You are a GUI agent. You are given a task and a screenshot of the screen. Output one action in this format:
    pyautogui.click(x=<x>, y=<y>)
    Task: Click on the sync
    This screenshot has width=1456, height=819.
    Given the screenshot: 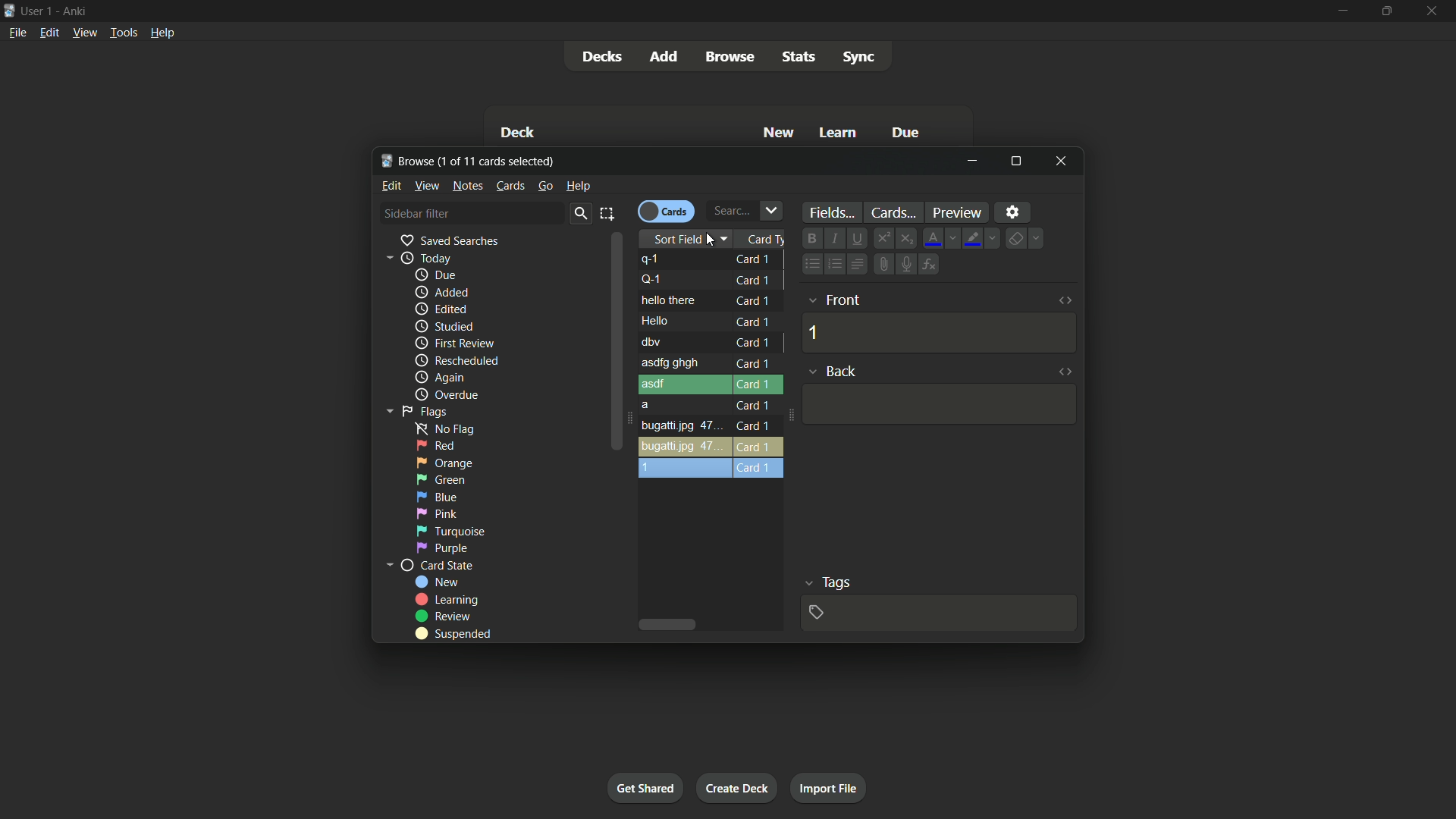 What is the action you would take?
    pyautogui.click(x=861, y=57)
    